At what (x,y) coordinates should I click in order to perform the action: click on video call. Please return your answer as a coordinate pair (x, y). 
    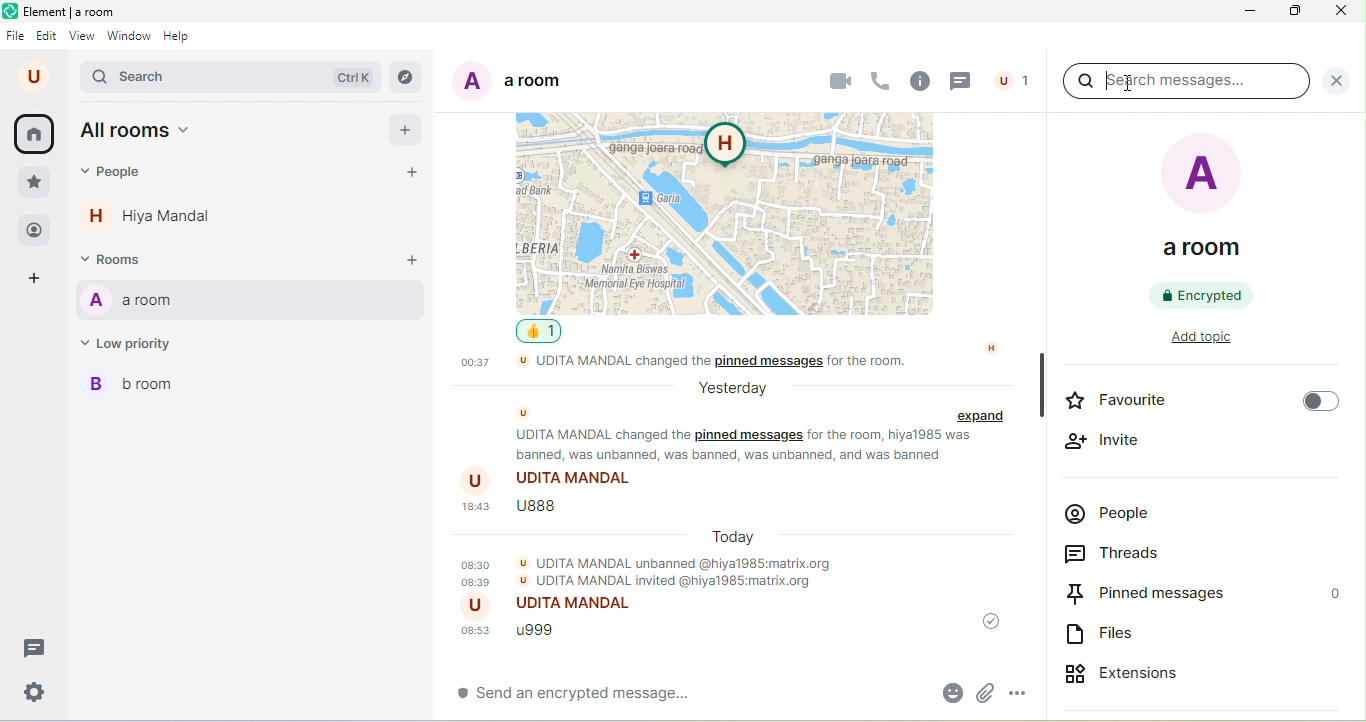
    Looking at the image, I should click on (839, 79).